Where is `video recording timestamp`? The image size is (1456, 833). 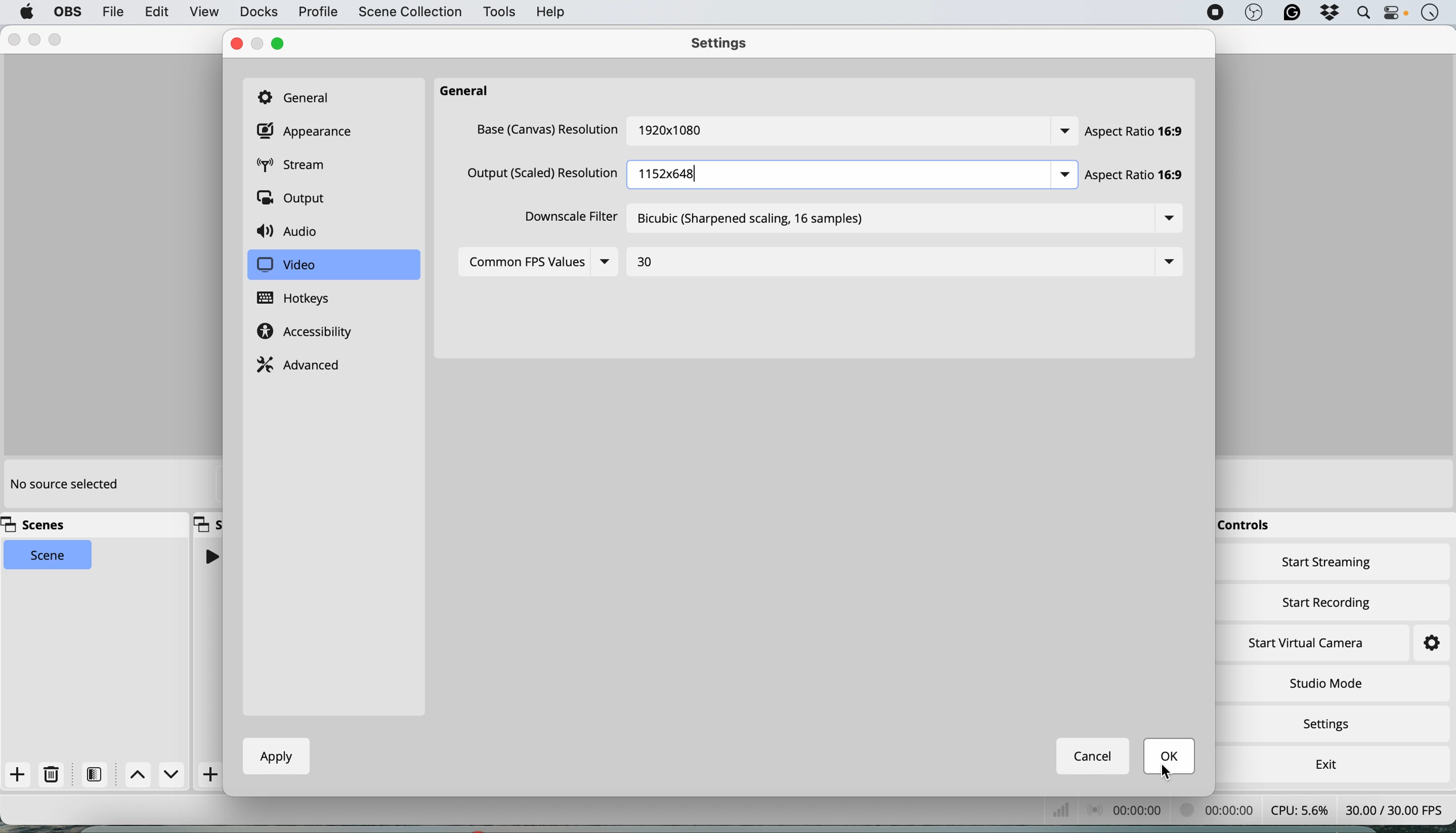
video recording timestamp is located at coordinates (1143, 812).